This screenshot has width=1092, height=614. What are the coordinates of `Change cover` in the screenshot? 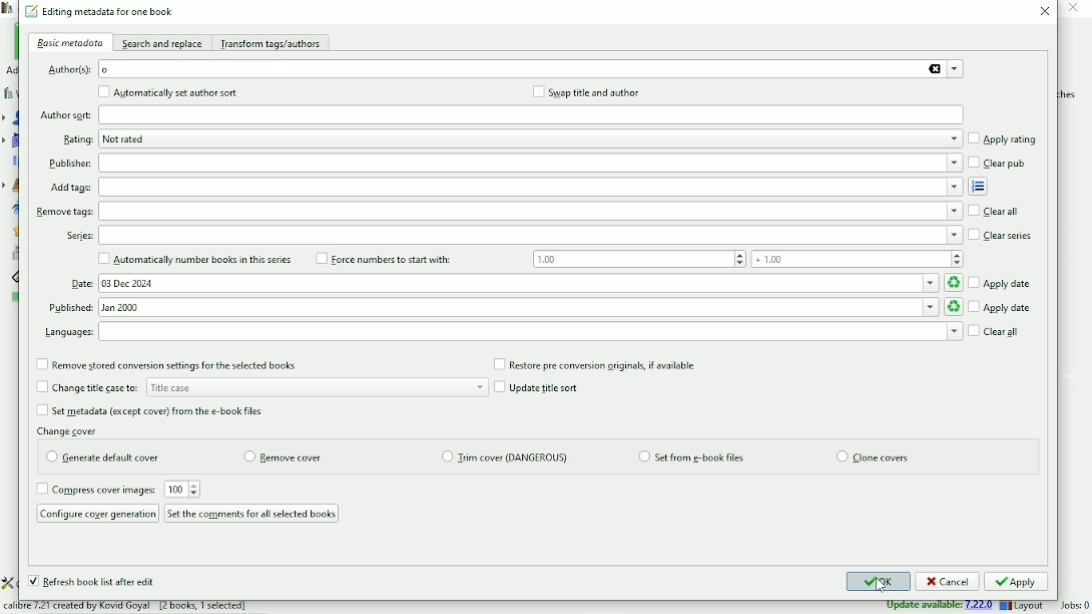 It's located at (70, 430).